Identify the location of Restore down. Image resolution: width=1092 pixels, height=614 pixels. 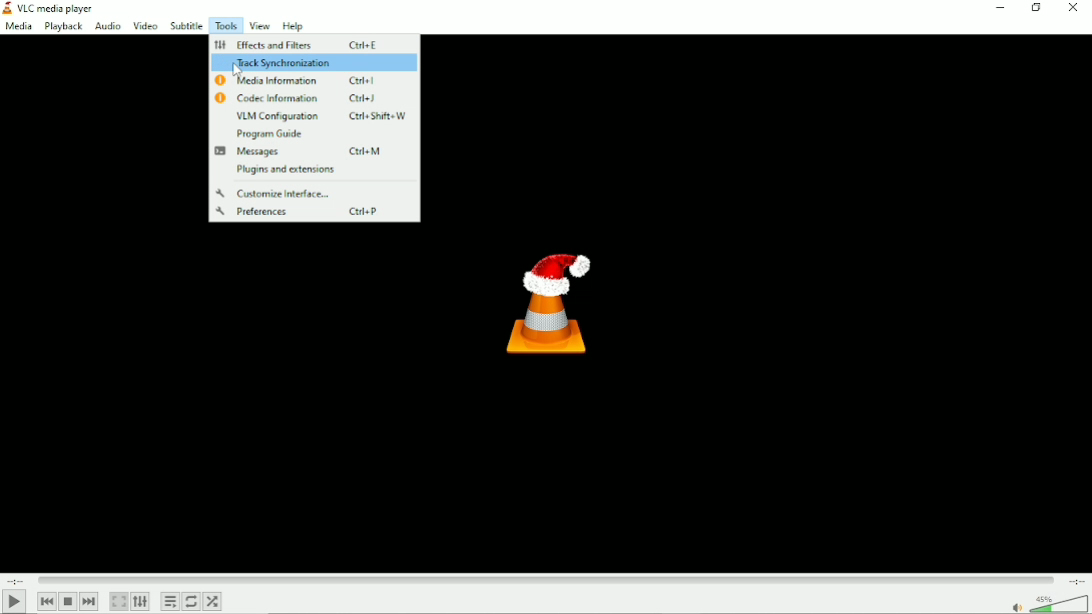
(1035, 8).